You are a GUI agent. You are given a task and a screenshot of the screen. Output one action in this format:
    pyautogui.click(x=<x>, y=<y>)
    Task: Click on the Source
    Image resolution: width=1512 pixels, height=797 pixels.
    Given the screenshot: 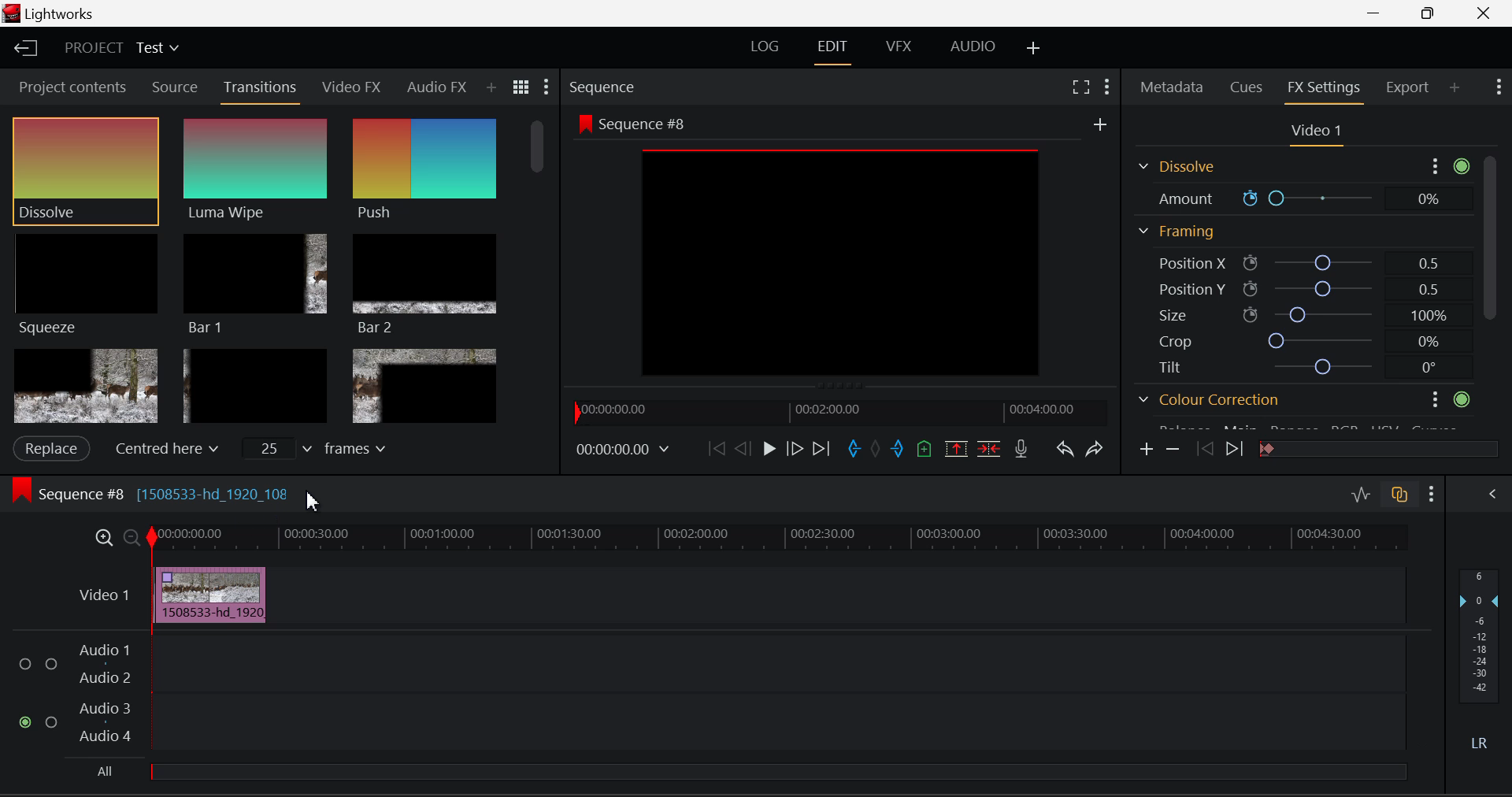 What is the action you would take?
    pyautogui.click(x=176, y=87)
    